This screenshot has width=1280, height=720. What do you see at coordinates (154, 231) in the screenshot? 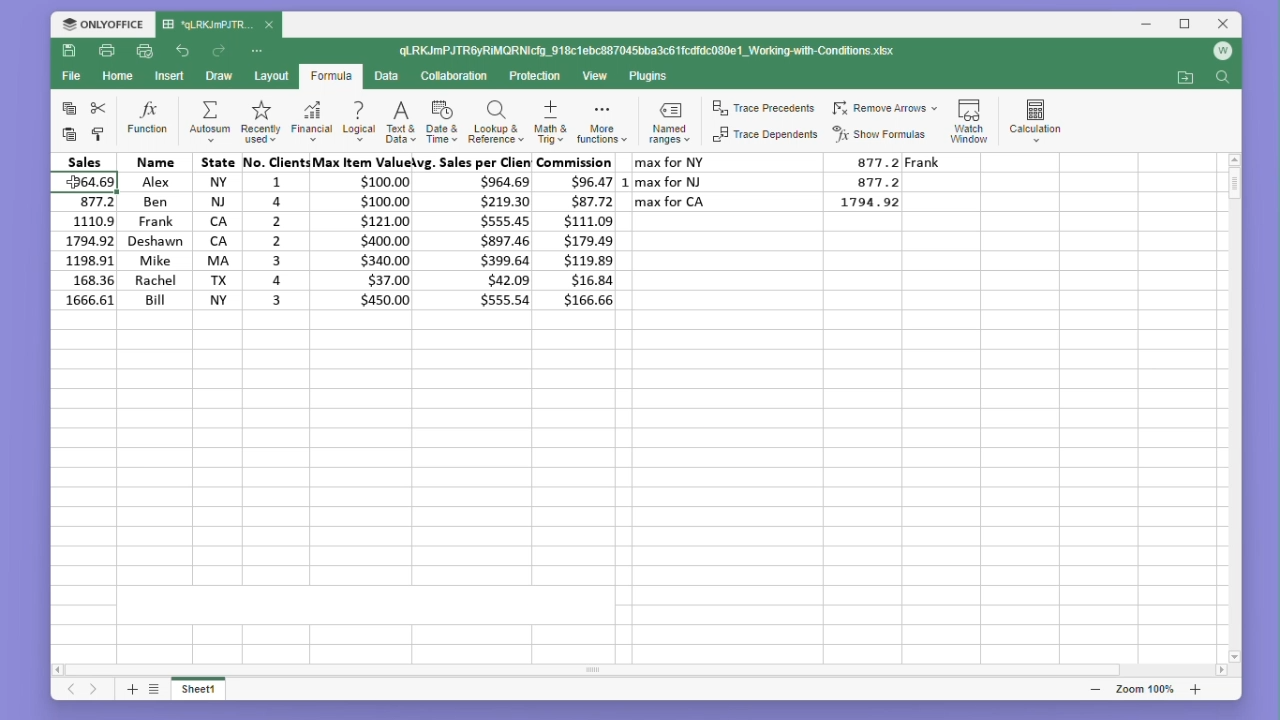
I see `Name Alex Ben Frank deshavn Mike Rache Bill` at bounding box center [154, 231].